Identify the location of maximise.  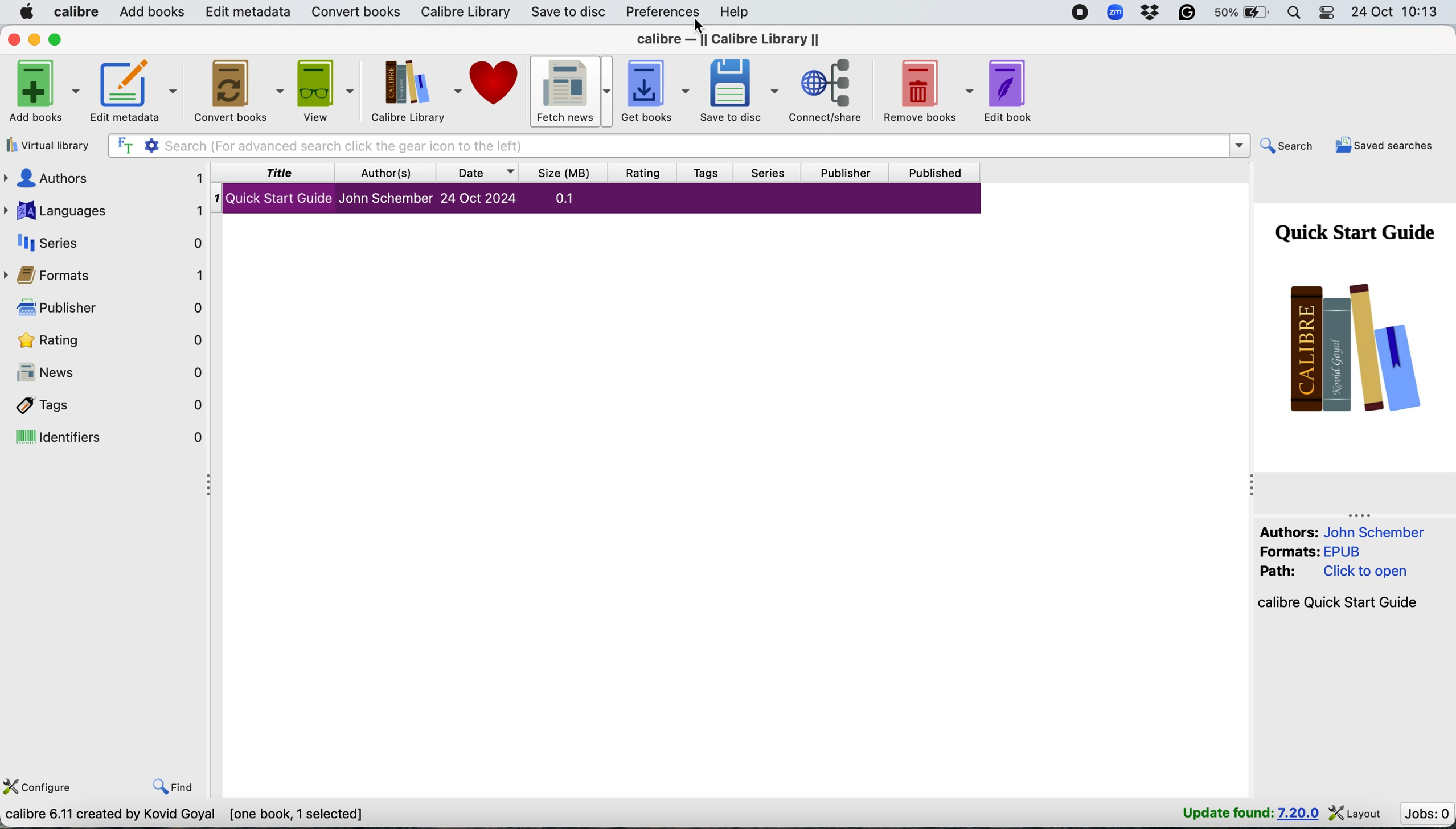
(60, 39).